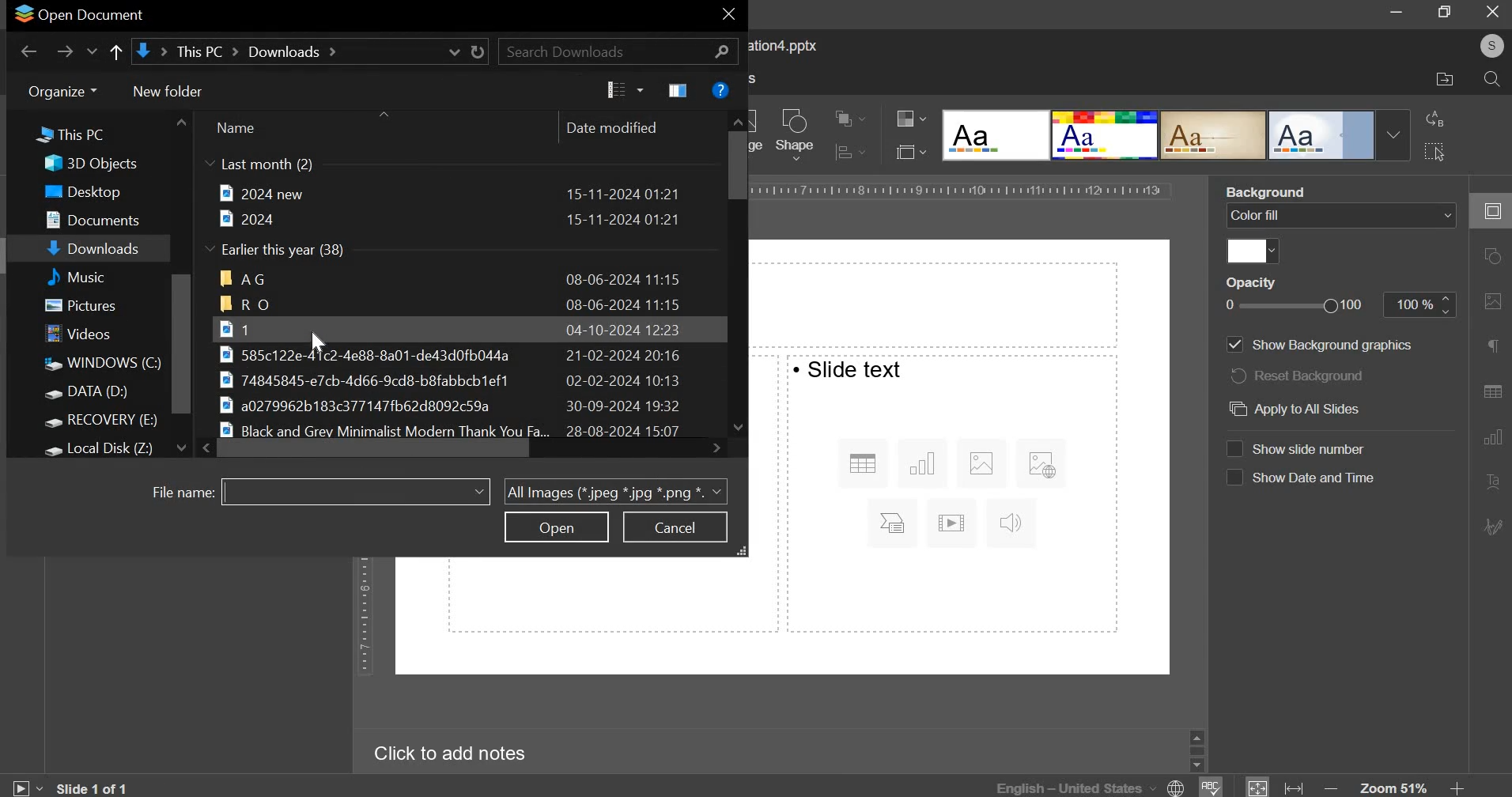 The height and width of the screenshot is (797, 1512). Describe the element at coordinates (1397, 13) in the screenshot. I see `minimize` at that location.